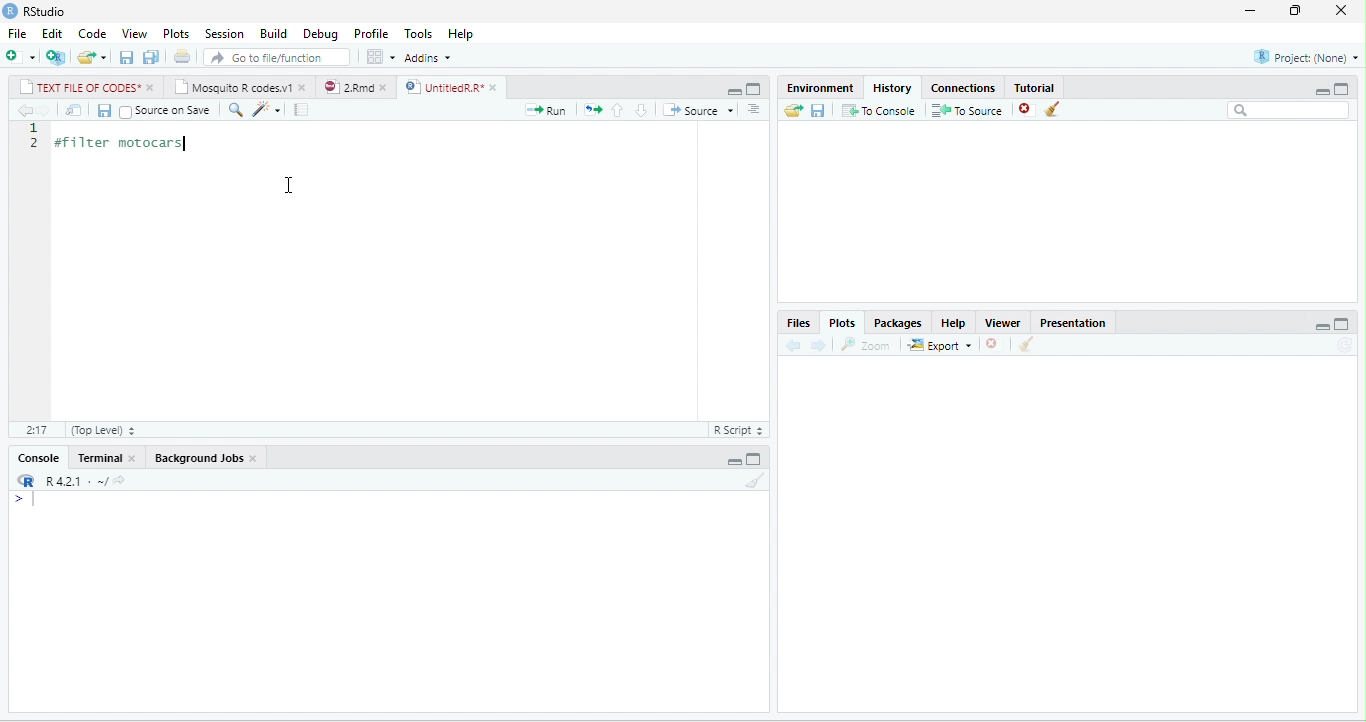  Describe the element at coordinates (104, 110) in the screenshot. I see `save` at that location.